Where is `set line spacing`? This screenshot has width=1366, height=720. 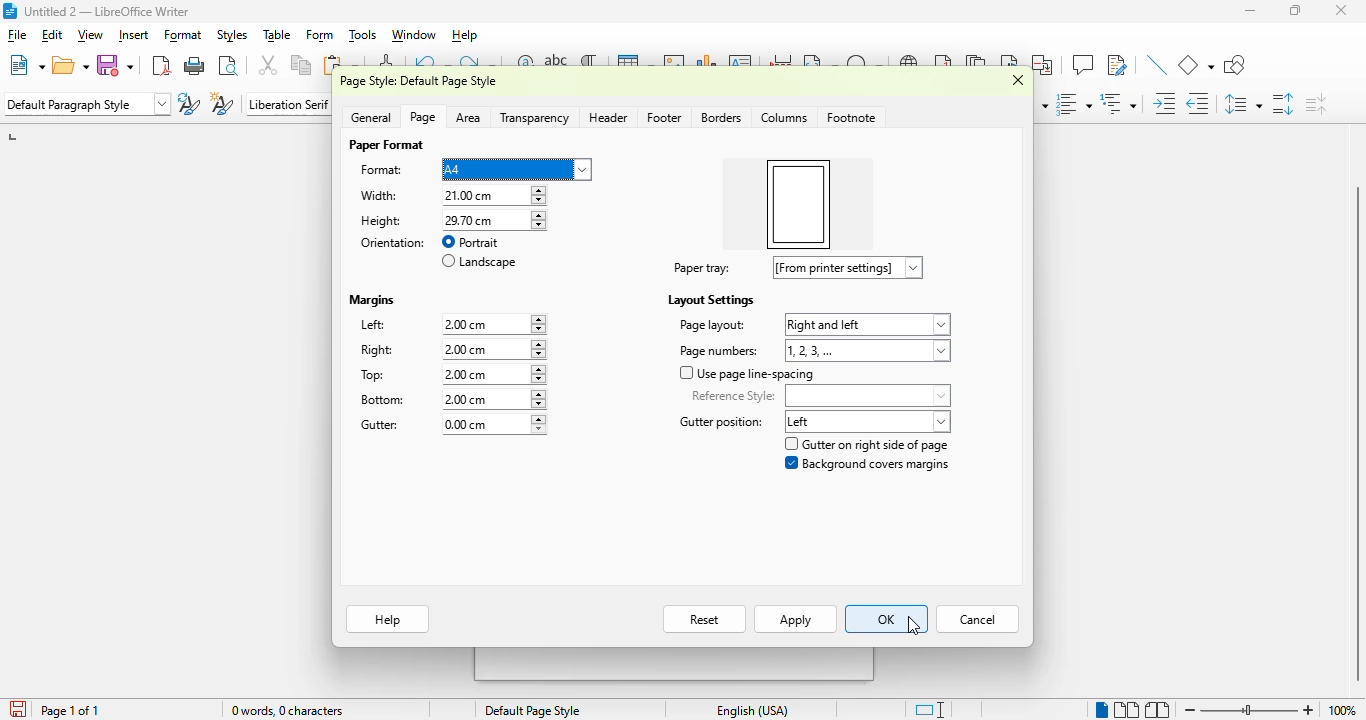
set line spacing is located at coordinates (1243, 103).